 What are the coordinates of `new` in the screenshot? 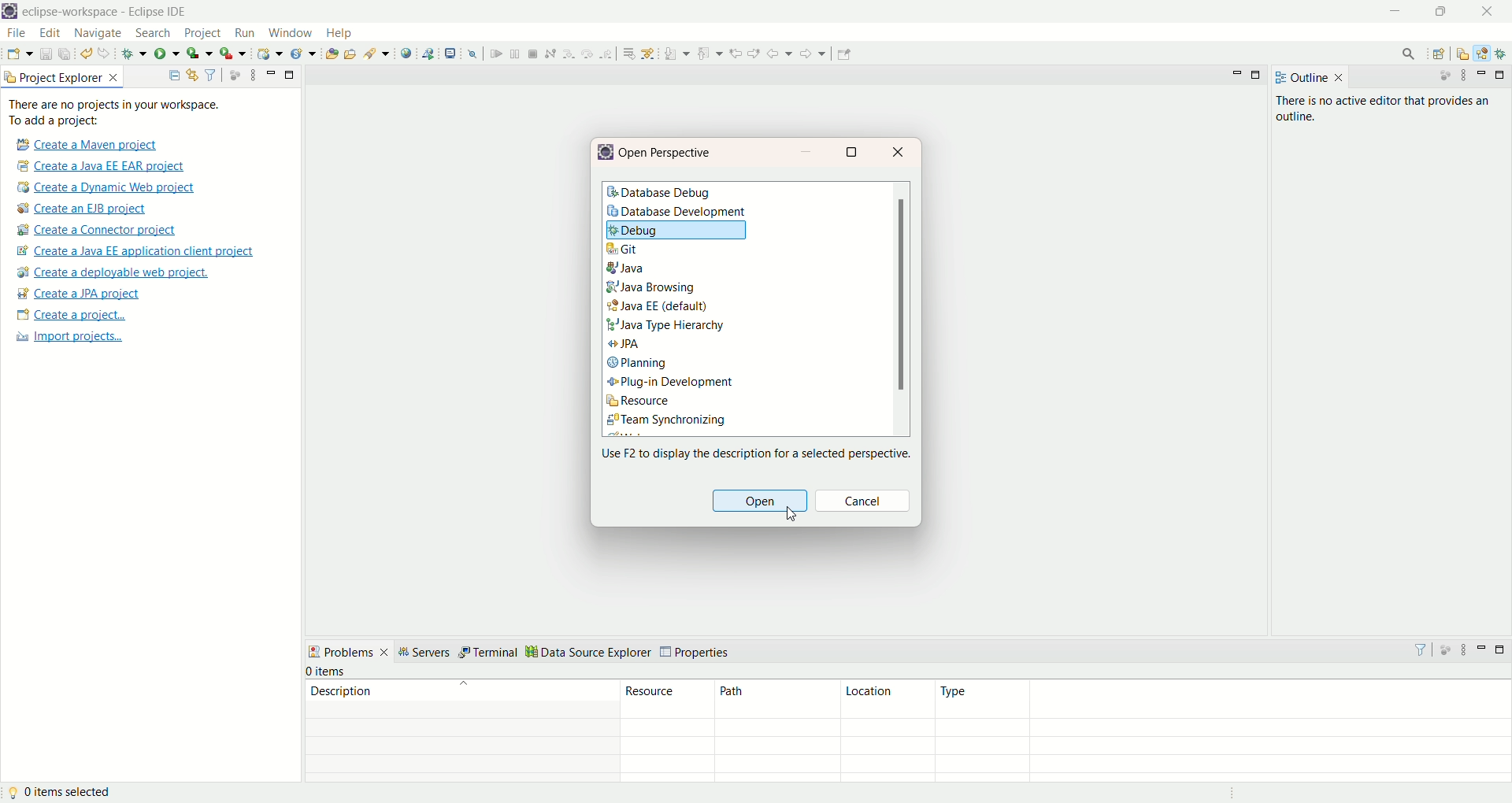 It's located at (17, 54).